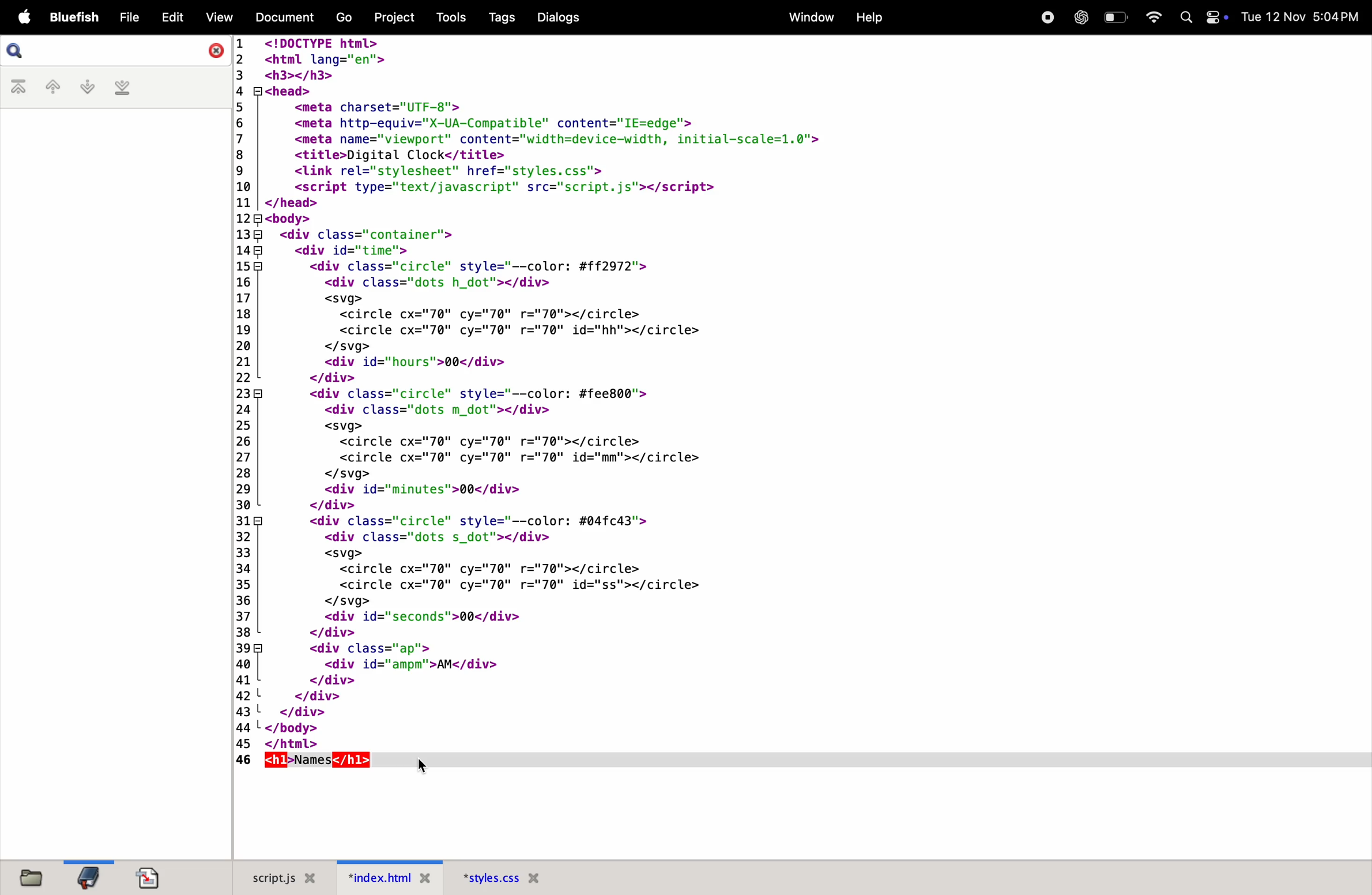  Describe the element at coordinates (509, 17) in the screenshot. I see `tags` at that location.